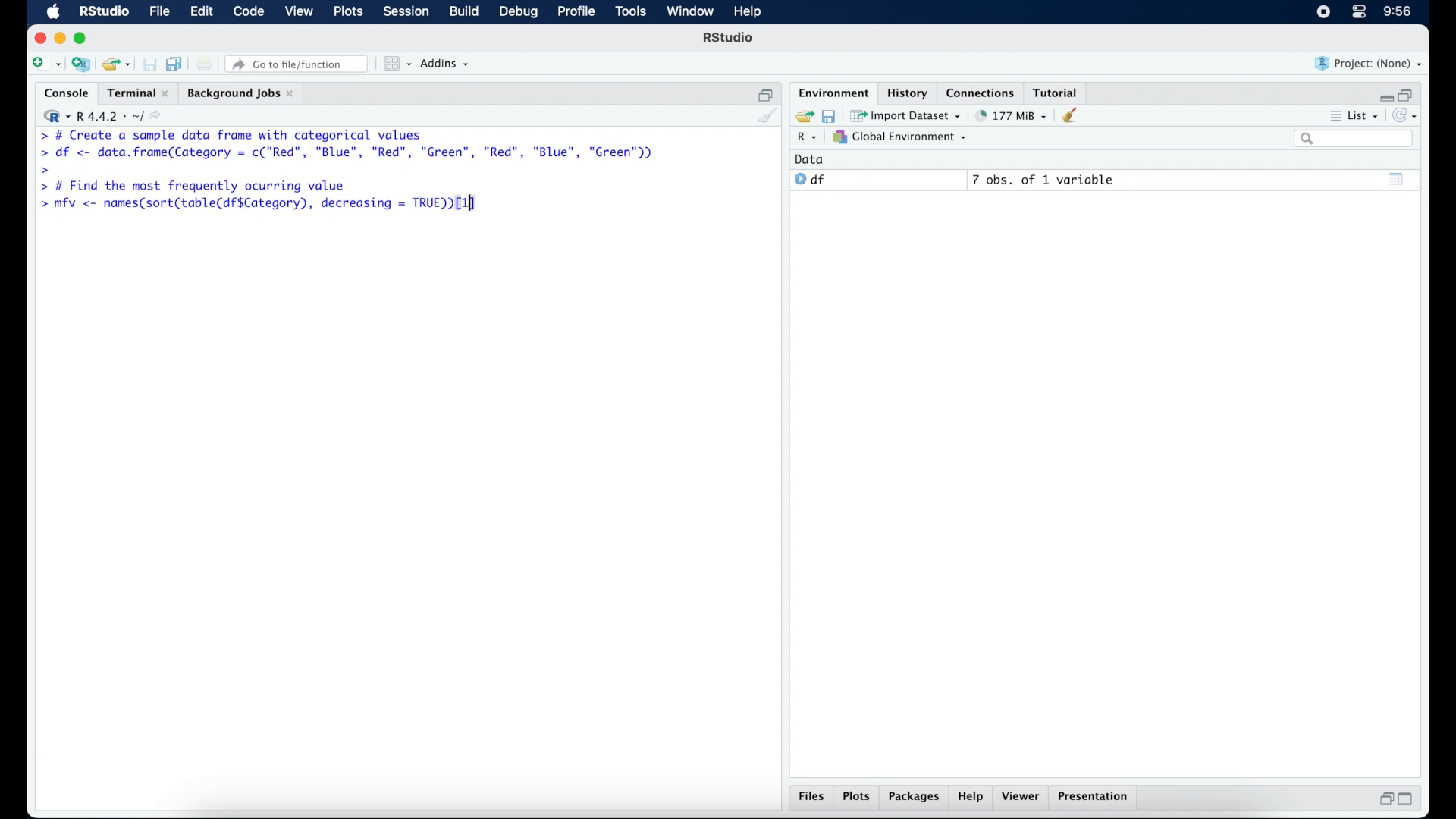  Describe the element at coordinates (147, 61) in the screenshot. I see `save` at that location.